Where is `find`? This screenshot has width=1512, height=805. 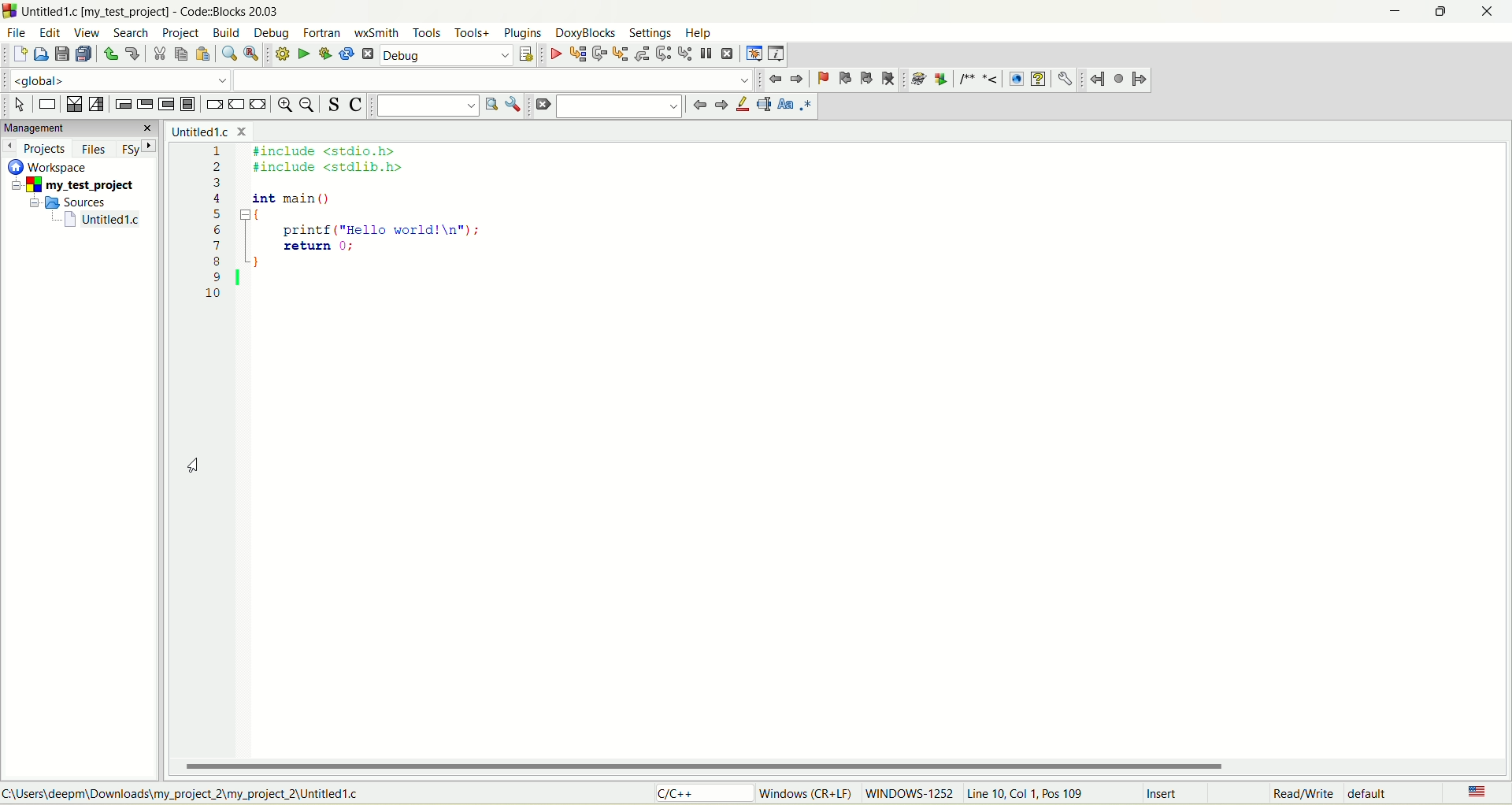
find is located at coordinates (231, 56).